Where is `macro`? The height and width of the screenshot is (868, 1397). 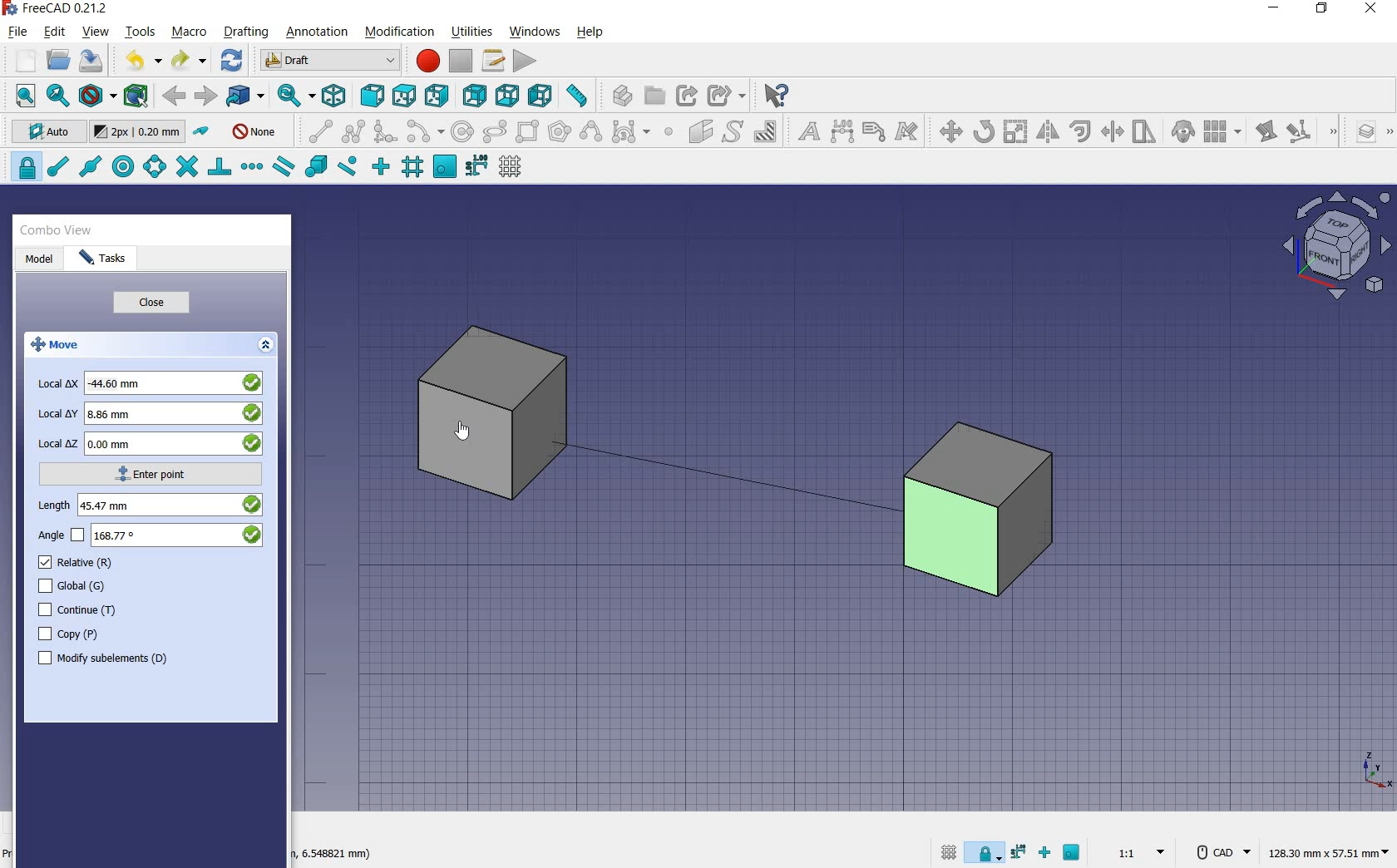
macro is located at coordinates (189, 33).